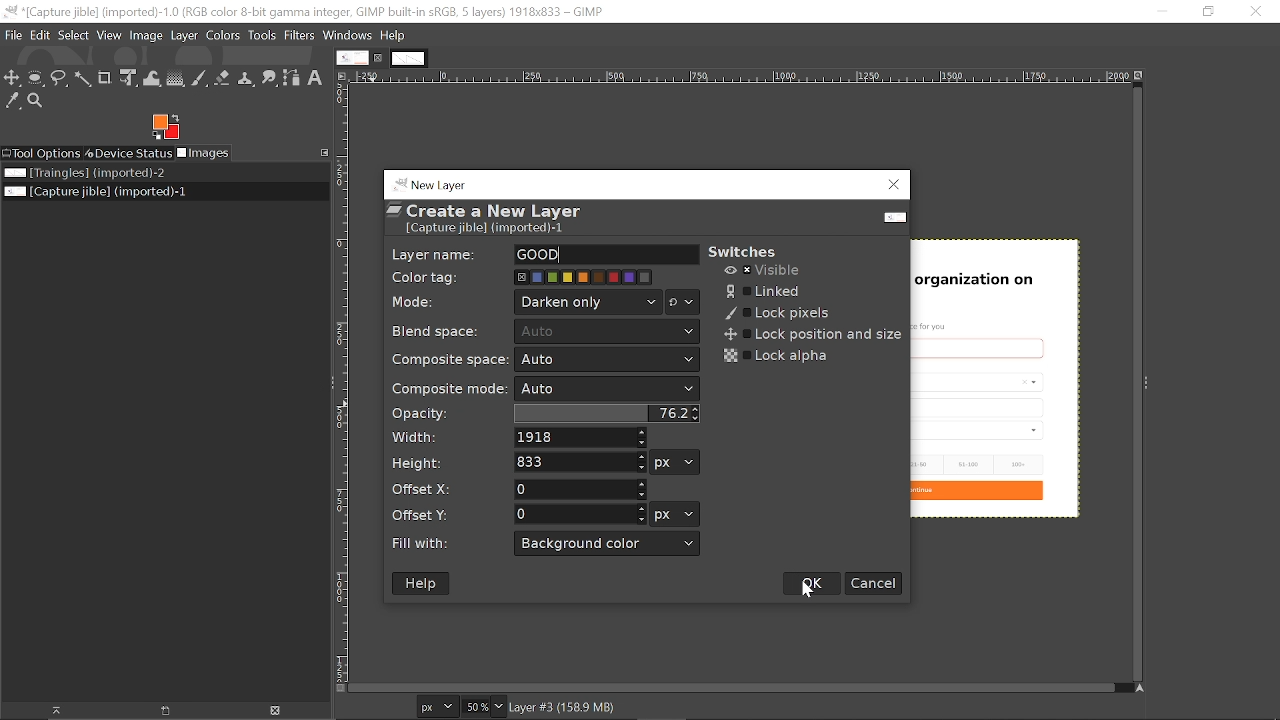  What do you see at coordinates (148, 35) in the screenshot?
I see `image` at bounding box center [148, 35].